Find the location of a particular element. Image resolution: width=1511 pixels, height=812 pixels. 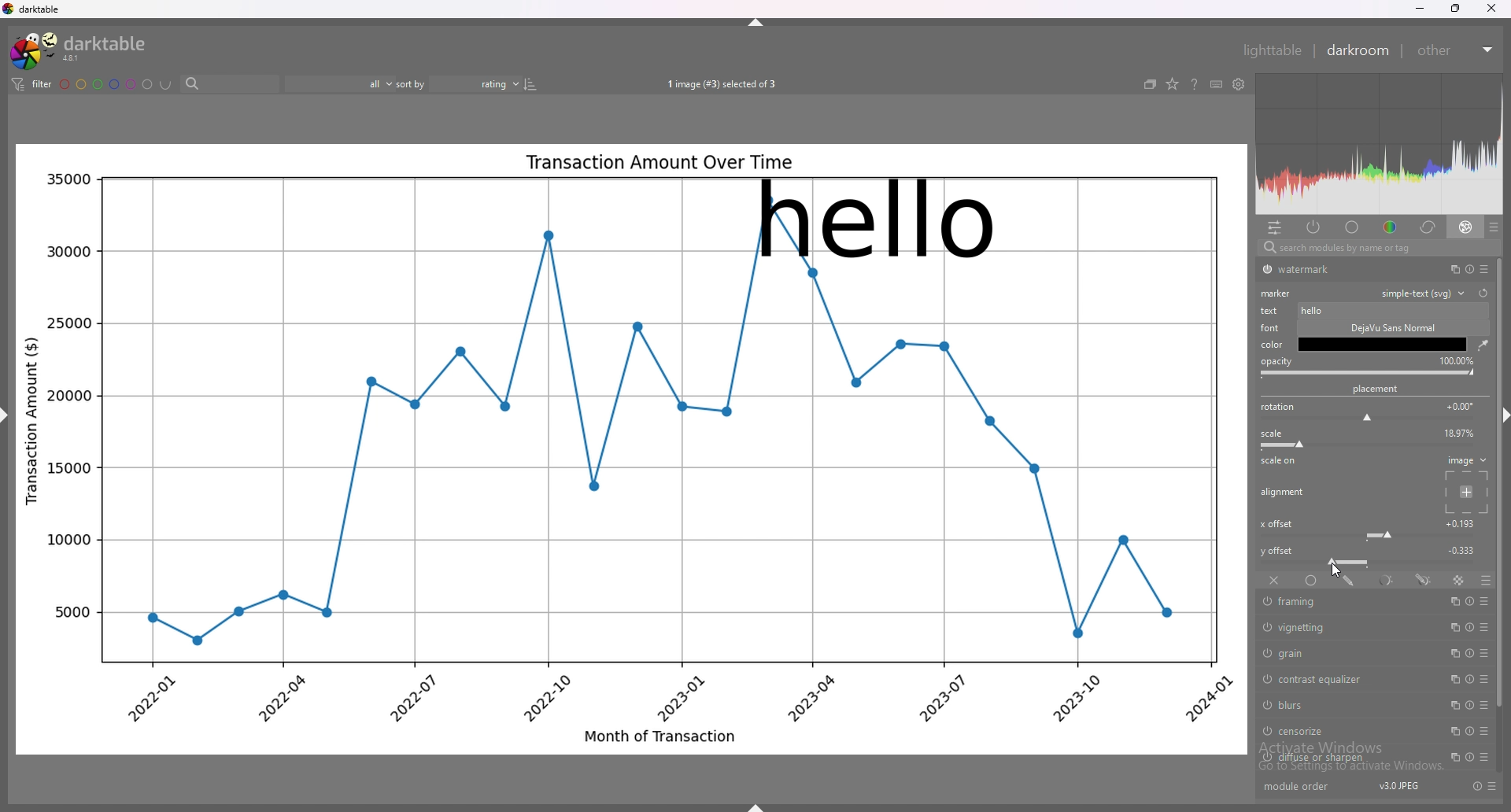

other is located at coordinates (1457, 50).